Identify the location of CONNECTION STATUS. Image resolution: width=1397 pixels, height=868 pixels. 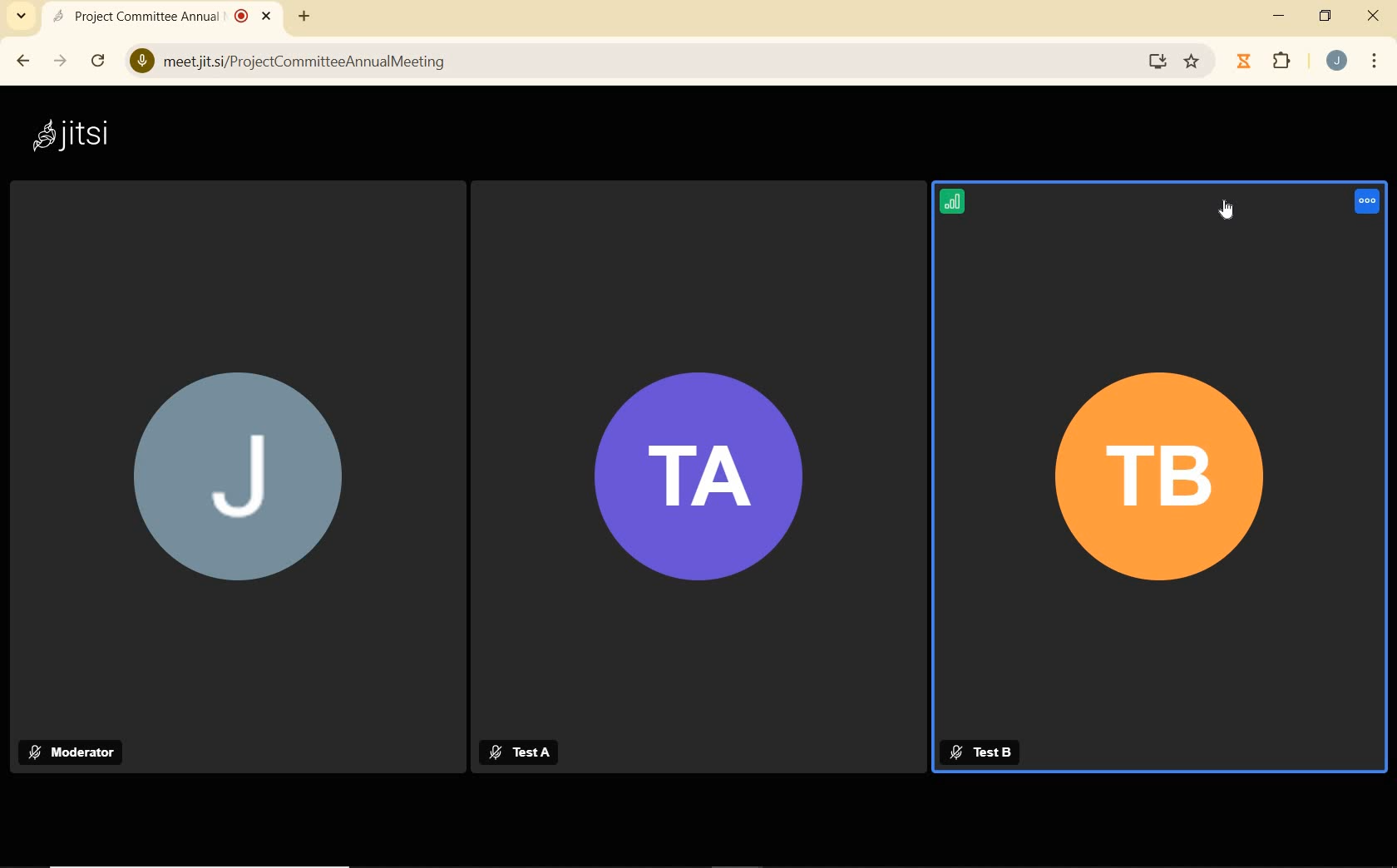
(955, 205).